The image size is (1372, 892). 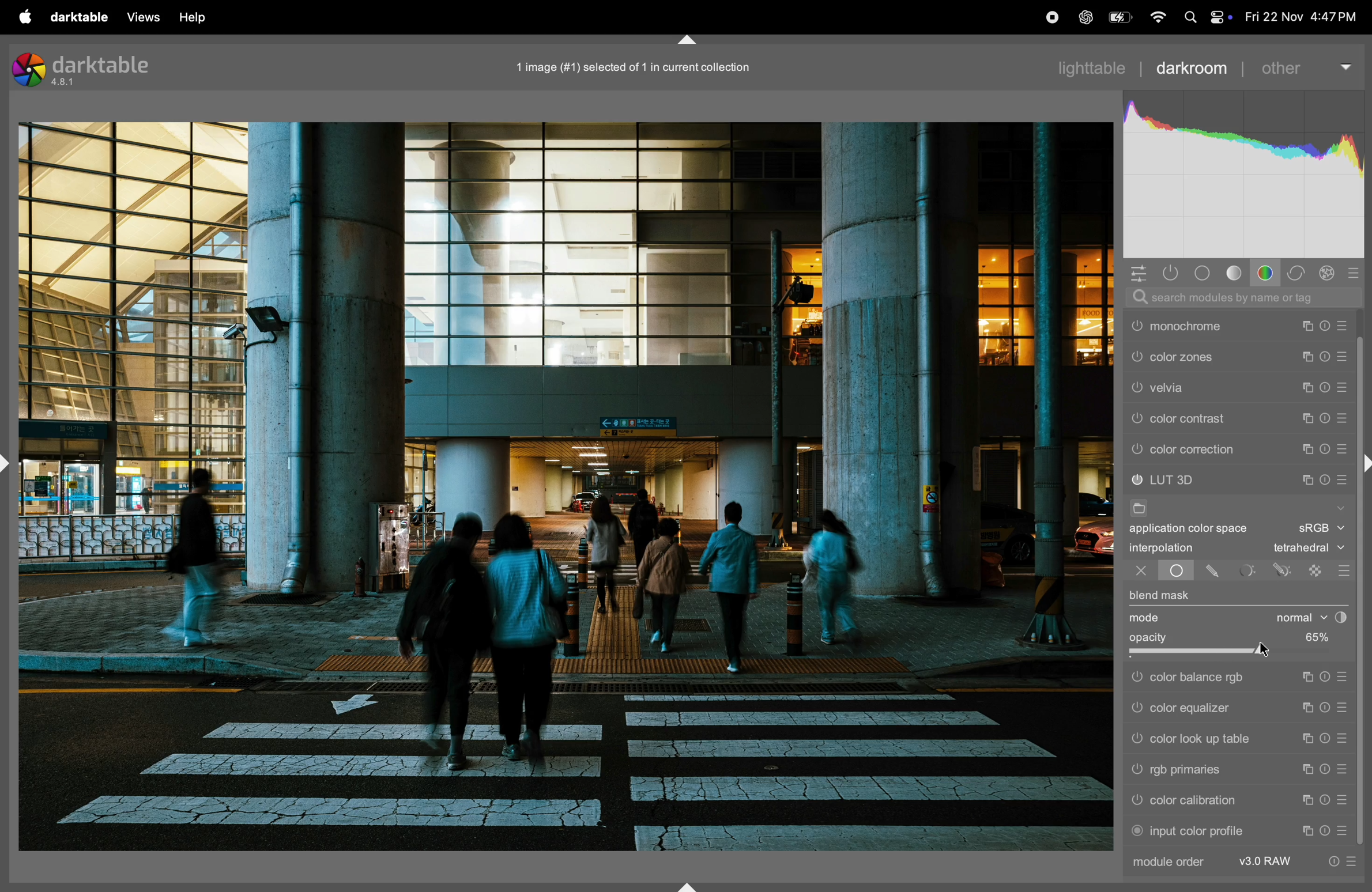 I want to click on cursor, so click(x=1269, y=651).